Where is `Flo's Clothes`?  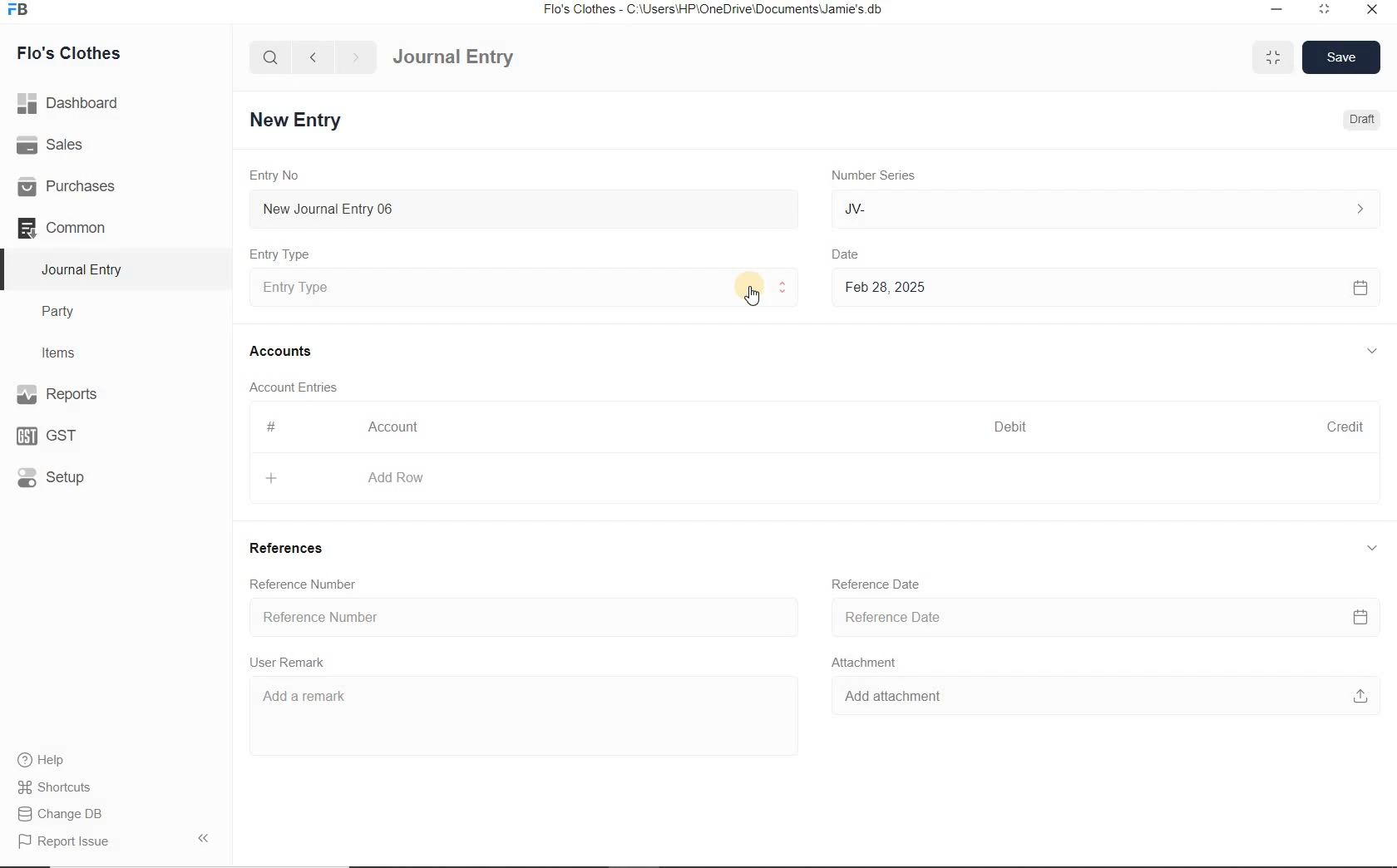 Flo's Clothes is located at coordinates (81, 53).